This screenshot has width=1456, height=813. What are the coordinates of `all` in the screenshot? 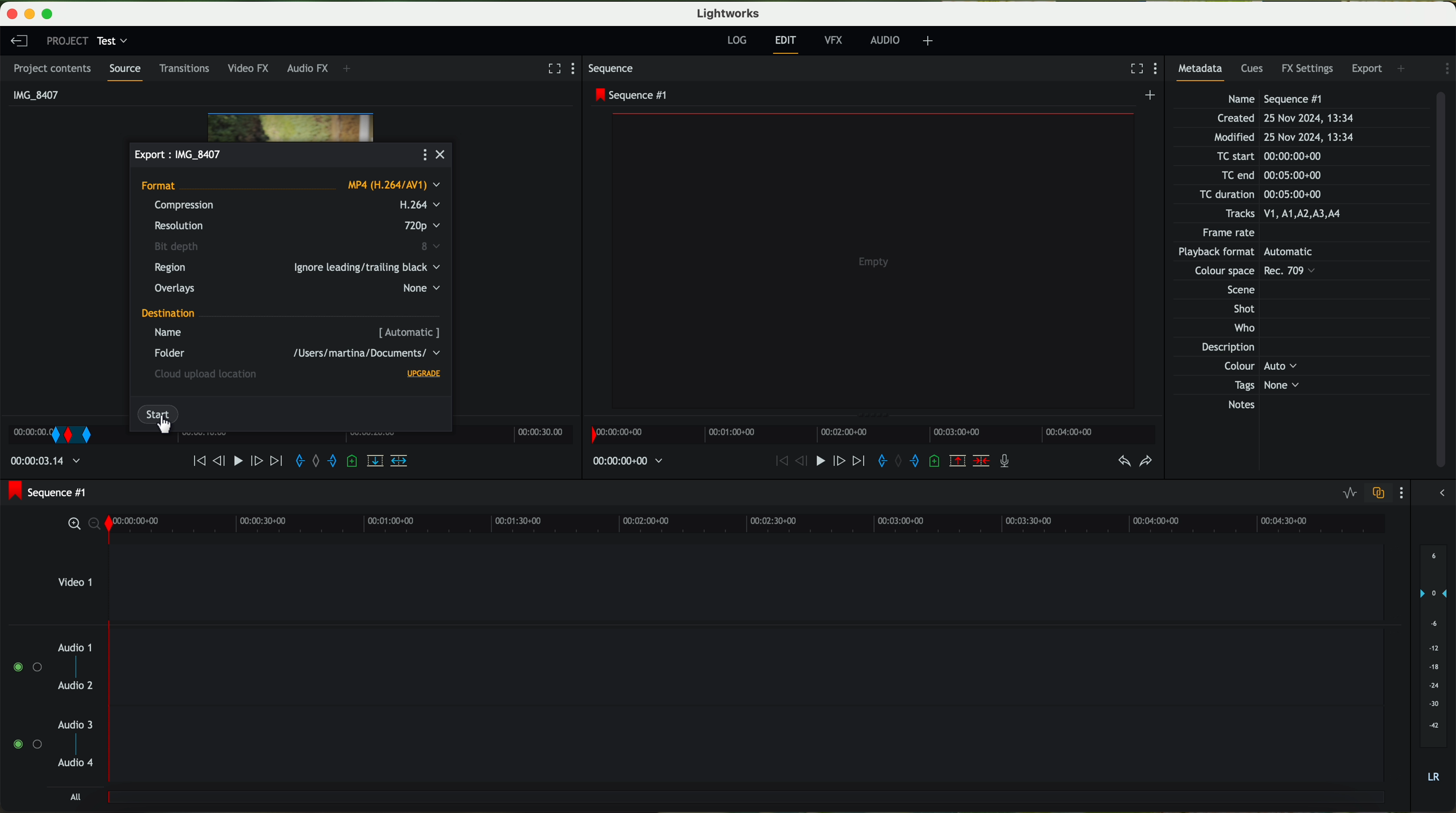 It's located at (77, 798).